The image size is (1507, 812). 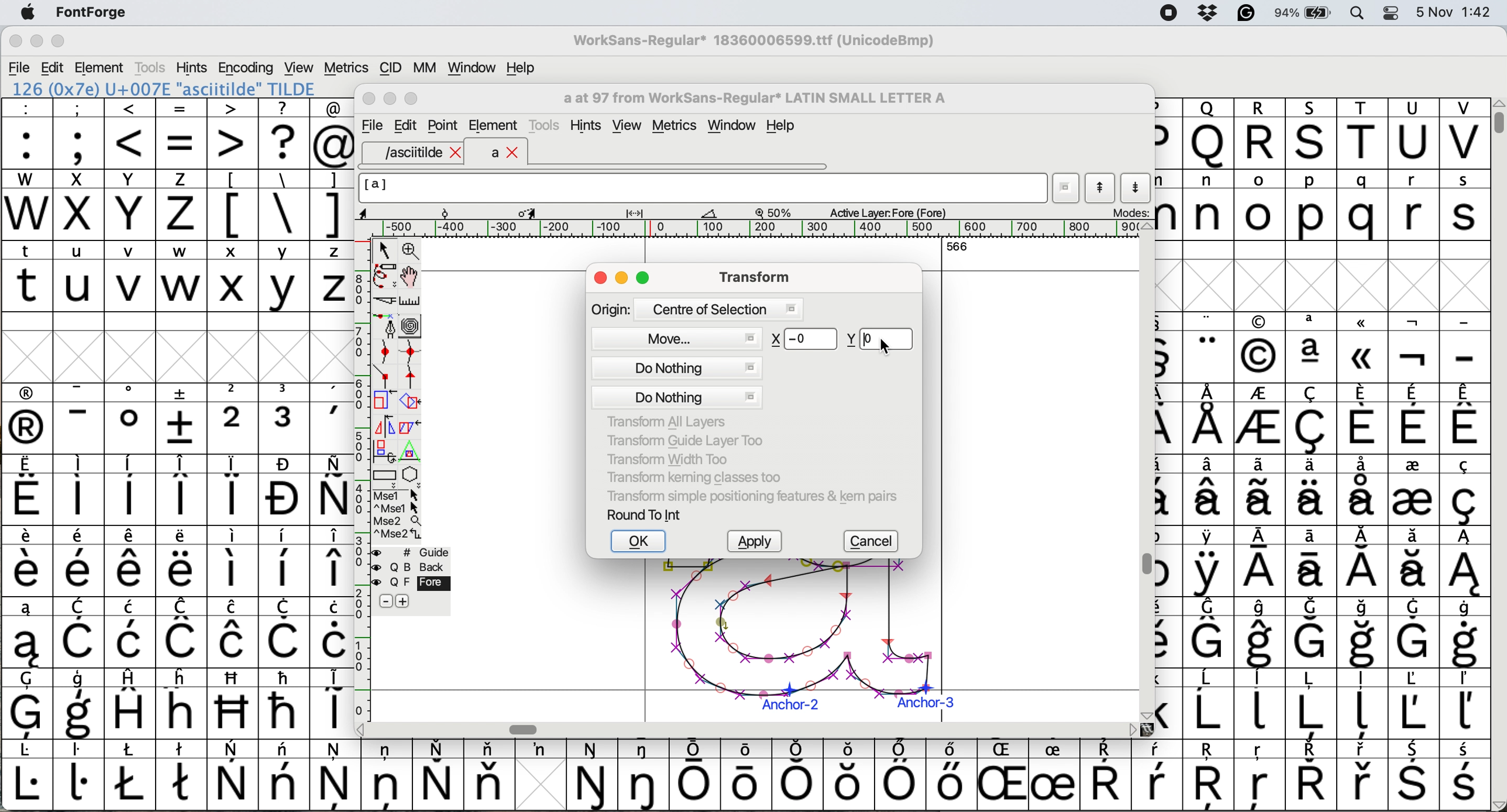 What do you see at coordinates (753, 98) in the screenshot?
I see `glyph name` at bounding box center [753, 98].